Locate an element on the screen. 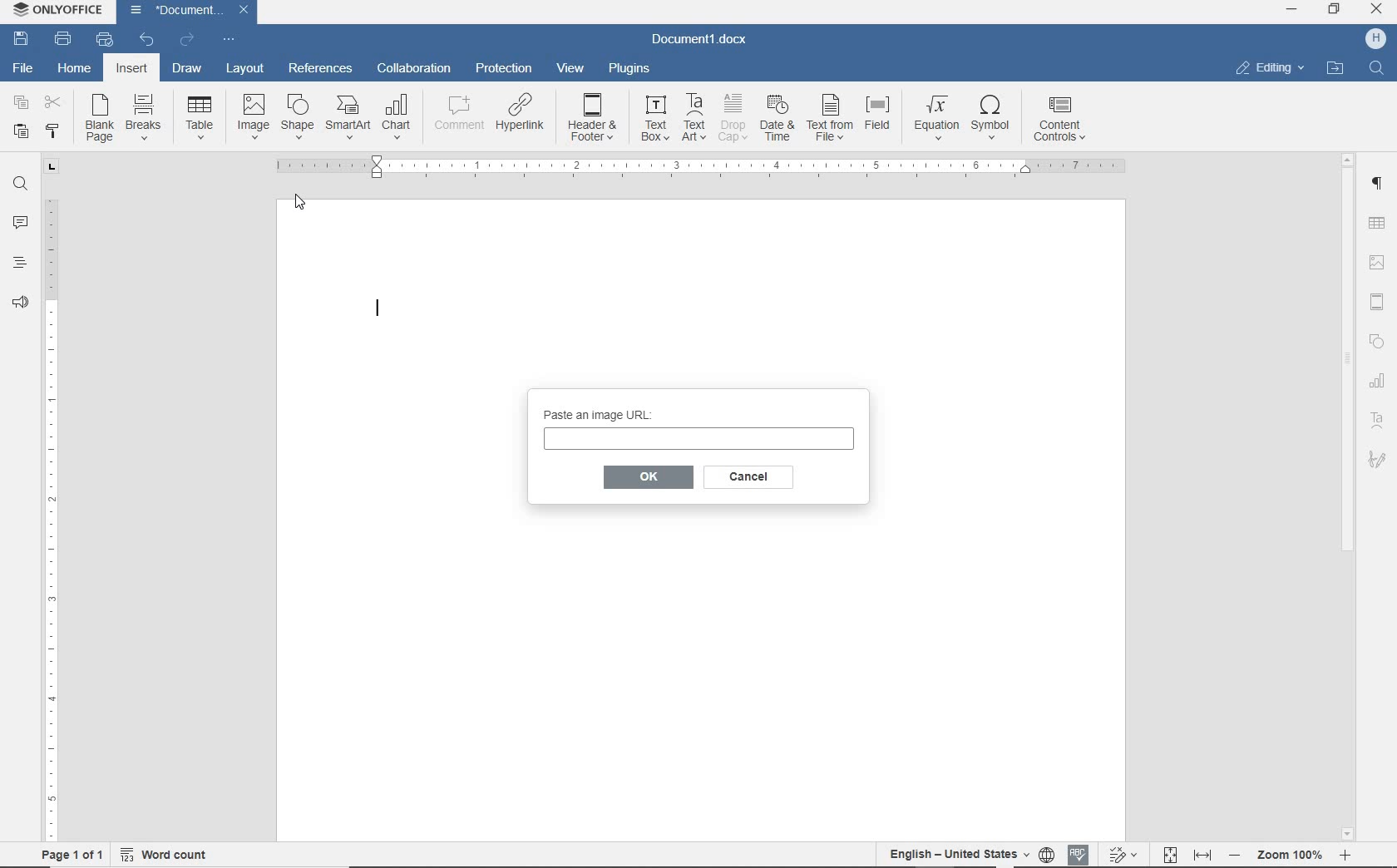 The image size is (1397, 868). Find is located at coordinates (1380, 70).